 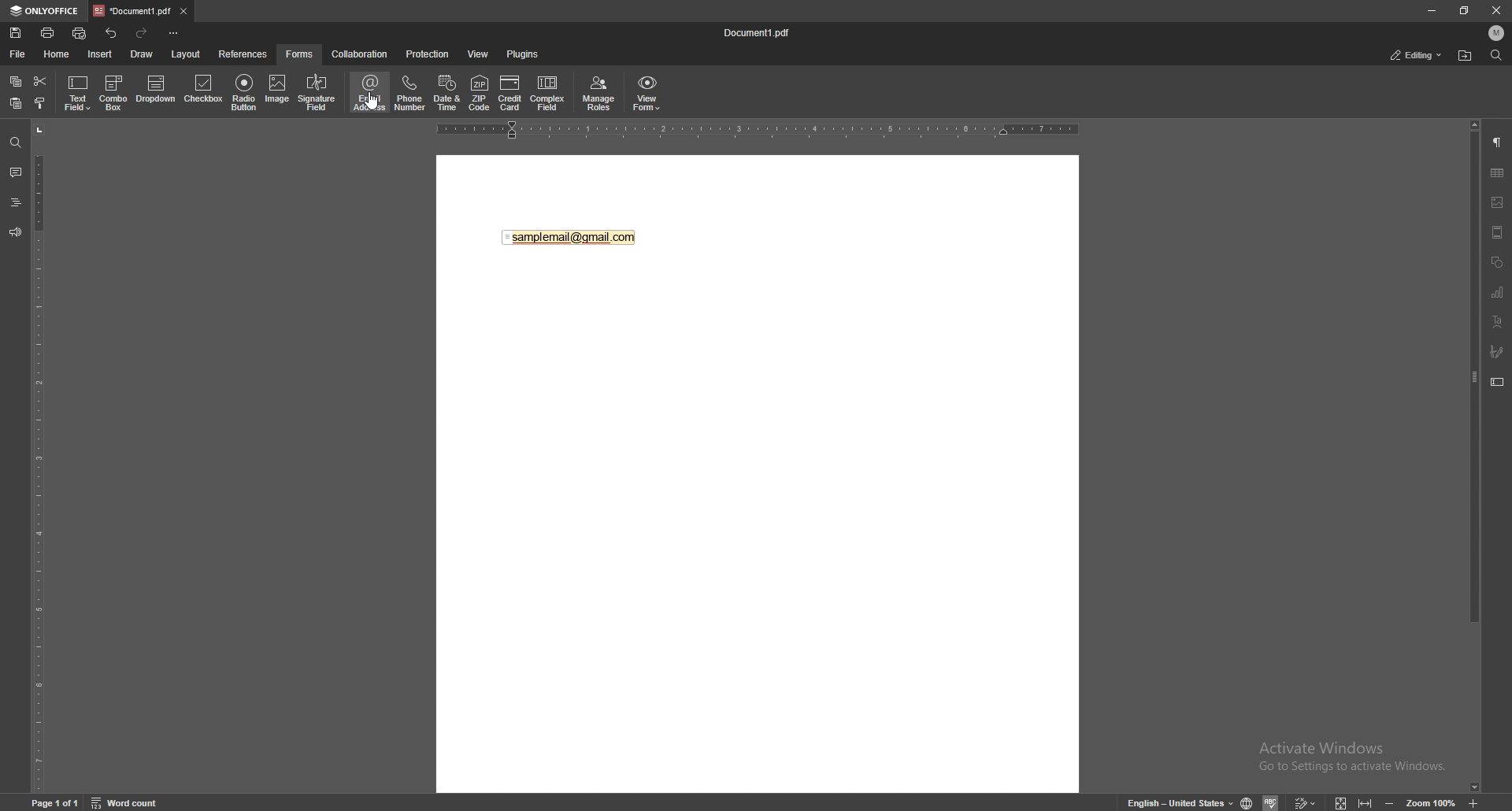 I want to click on references, so click(x=243, y=54).